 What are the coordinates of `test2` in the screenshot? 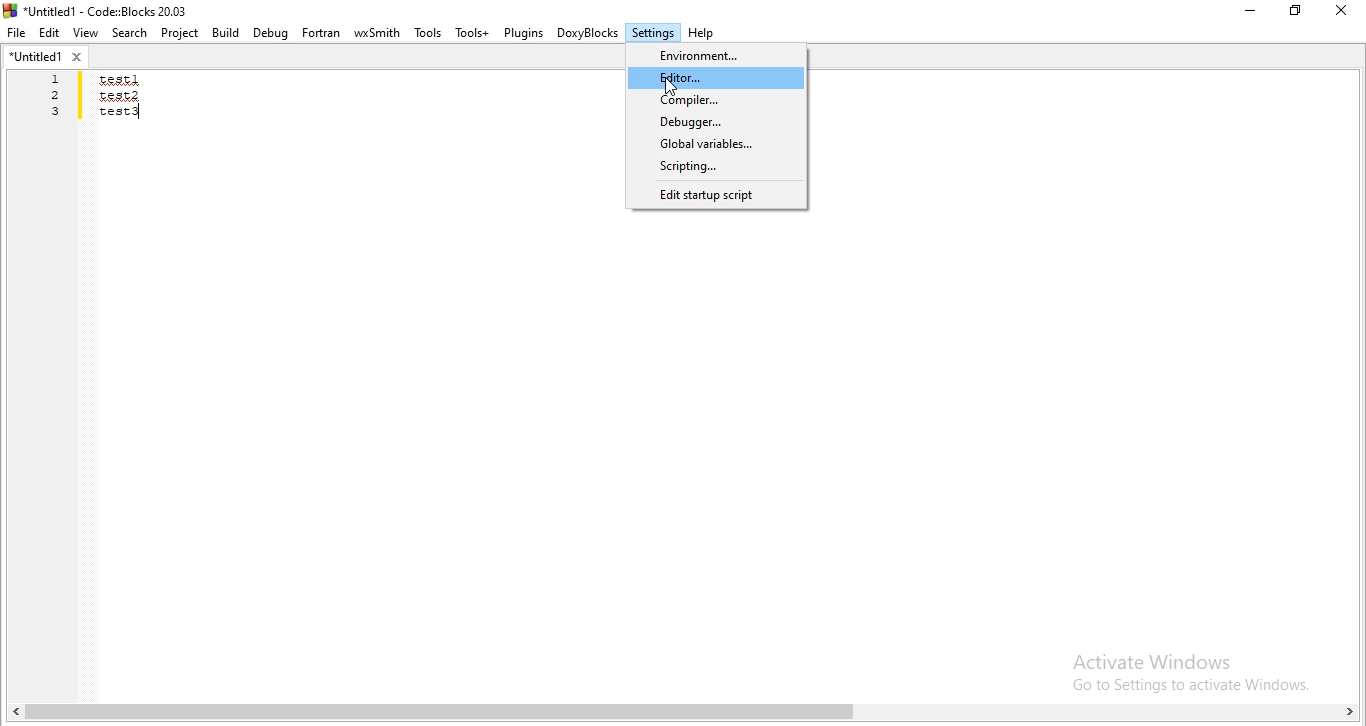 It's located at (118, 95).